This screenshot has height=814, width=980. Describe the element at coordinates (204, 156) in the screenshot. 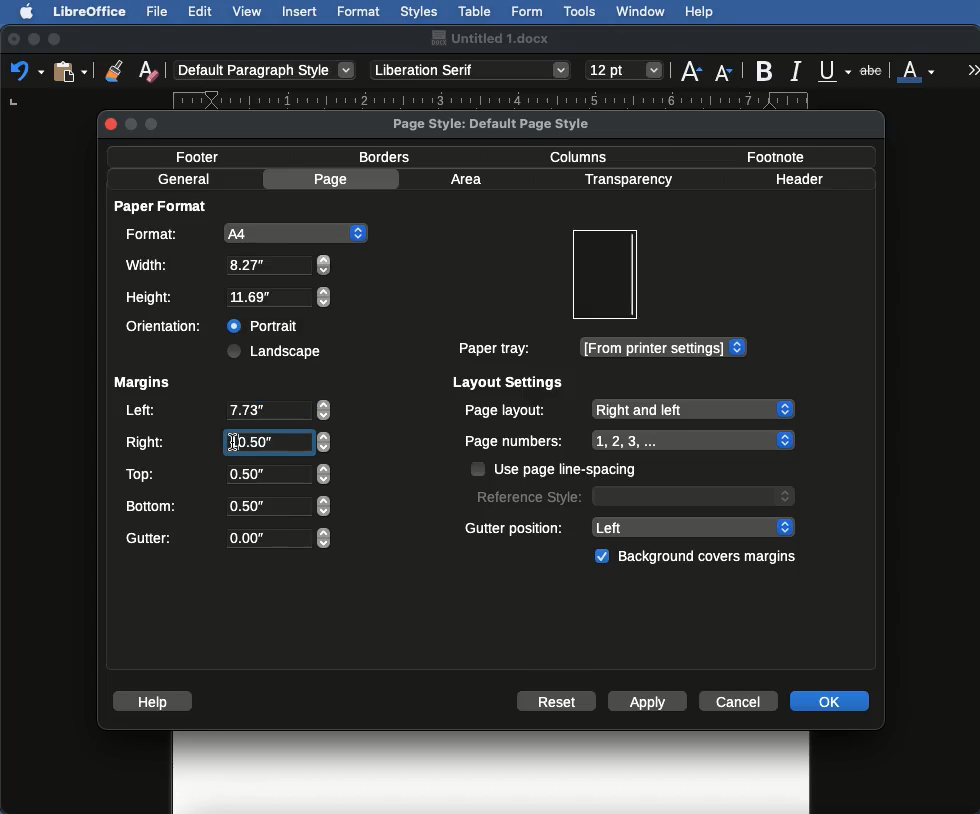

I see `Footer` at that location.